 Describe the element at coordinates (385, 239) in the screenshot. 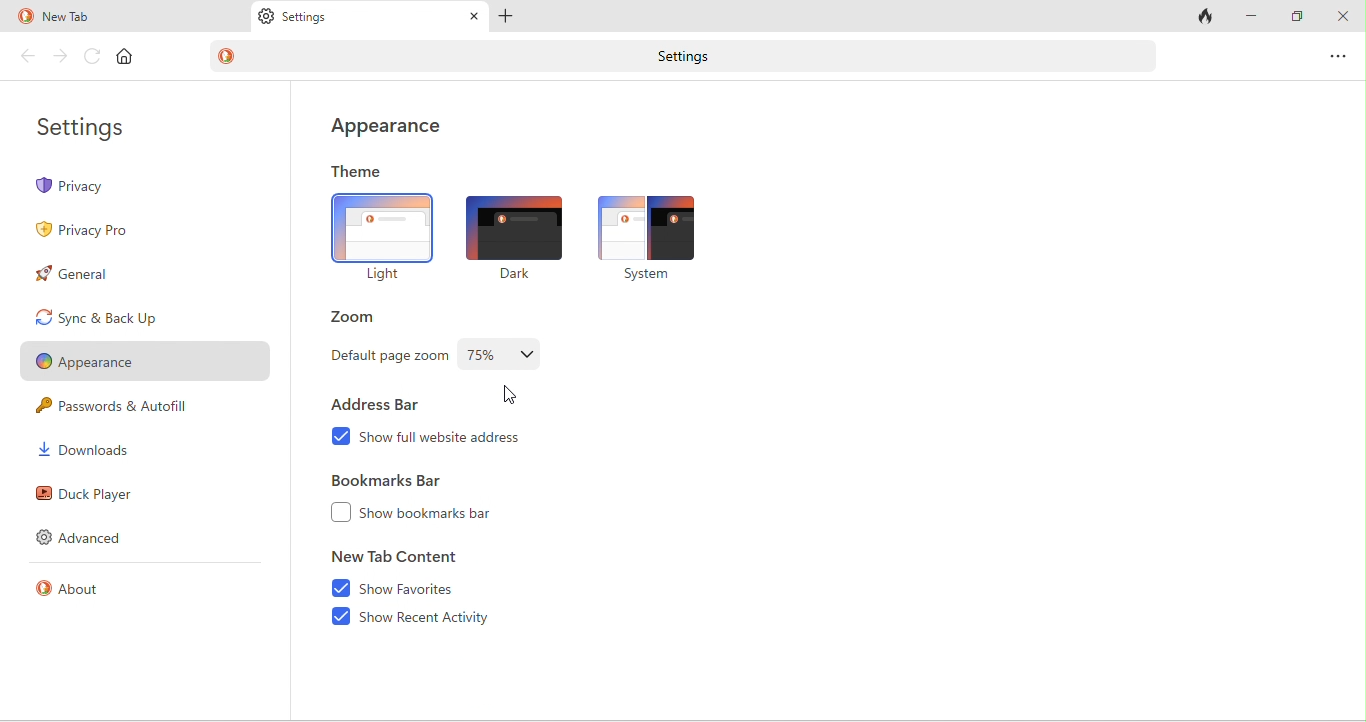

I see `light` at that location.